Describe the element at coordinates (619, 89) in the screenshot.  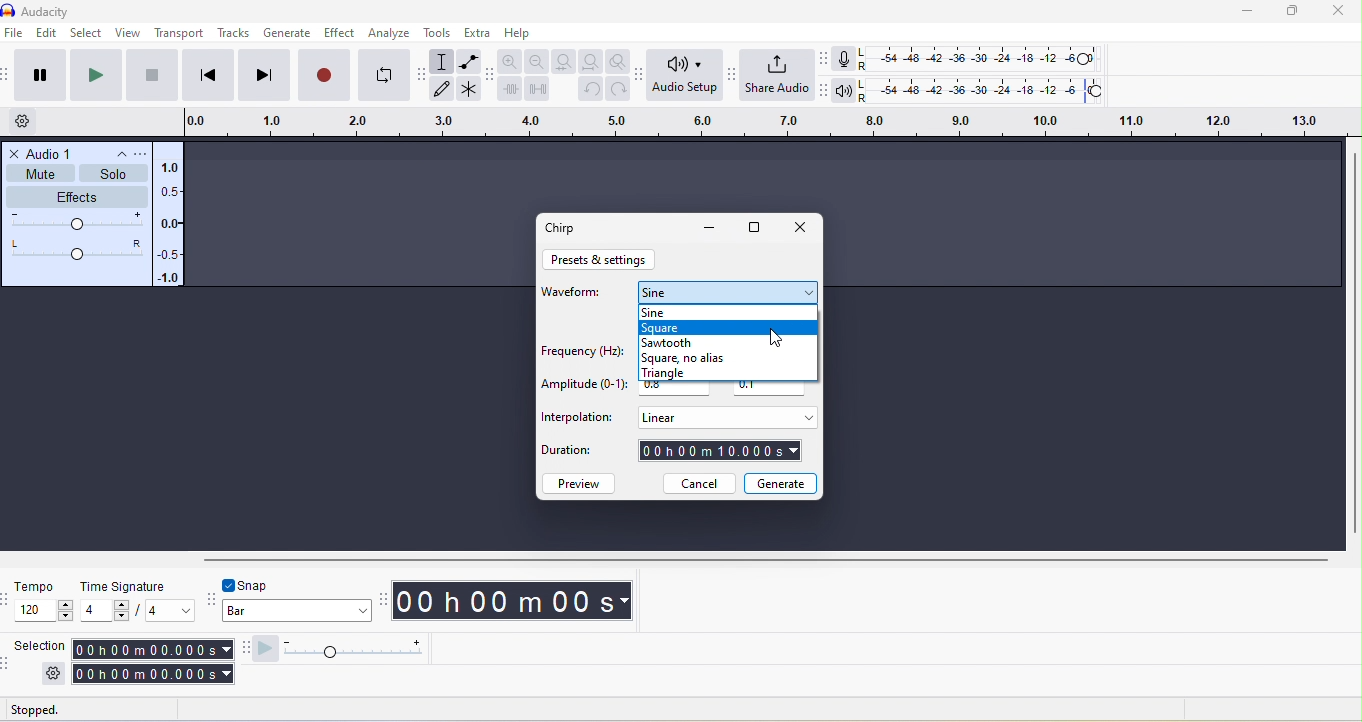
I see `redo` at that location.